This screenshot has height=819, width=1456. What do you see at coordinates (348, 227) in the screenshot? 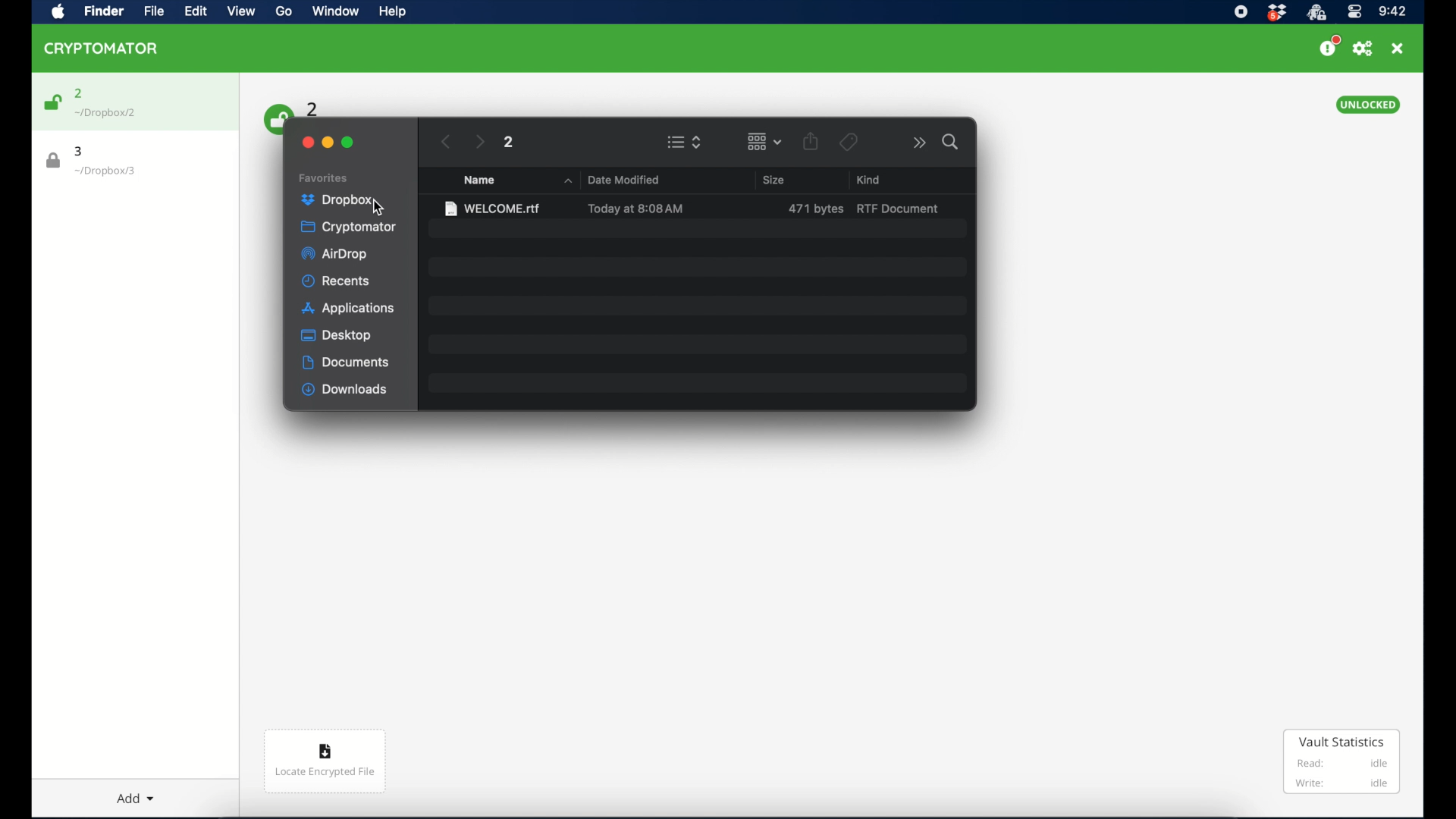
I see `cryptomator` at bounding box center [348, 227].